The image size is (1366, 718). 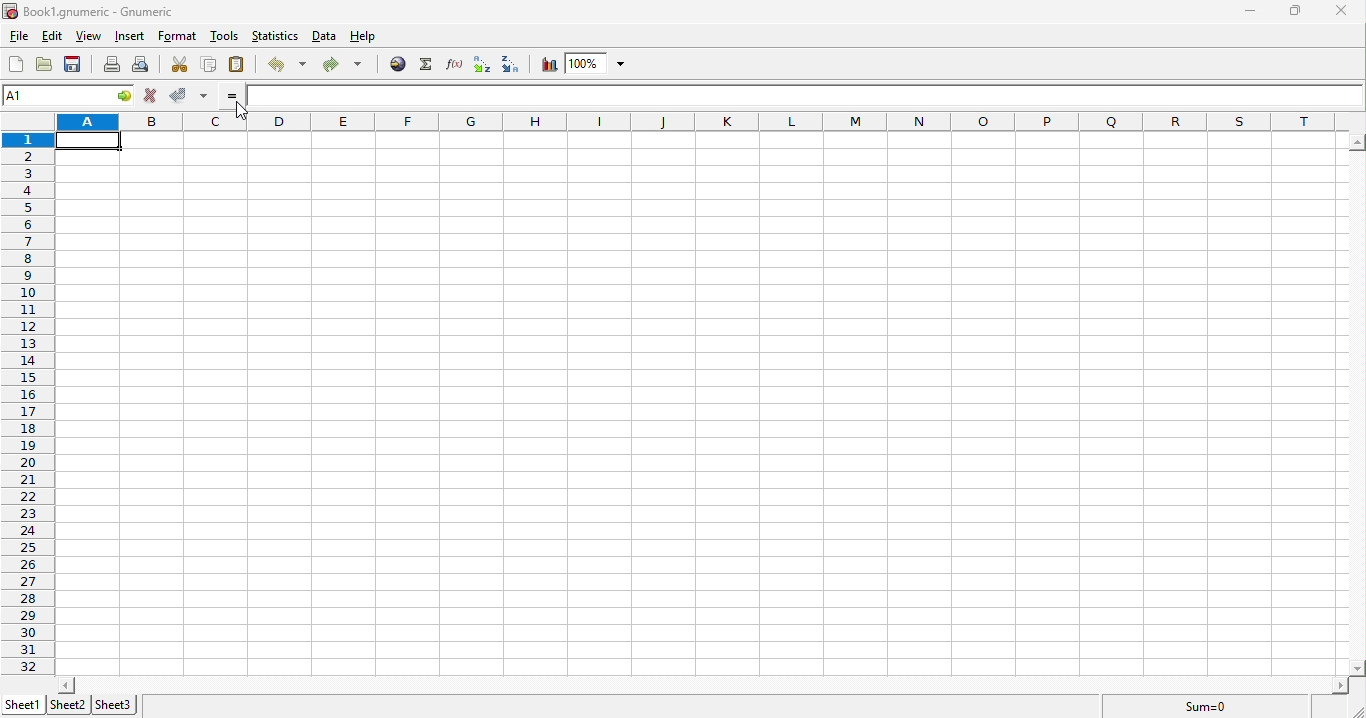 What do you see at coordinates (68, 704) in the screenshot?
I see `sheet2` at bounding box center [68, 704].